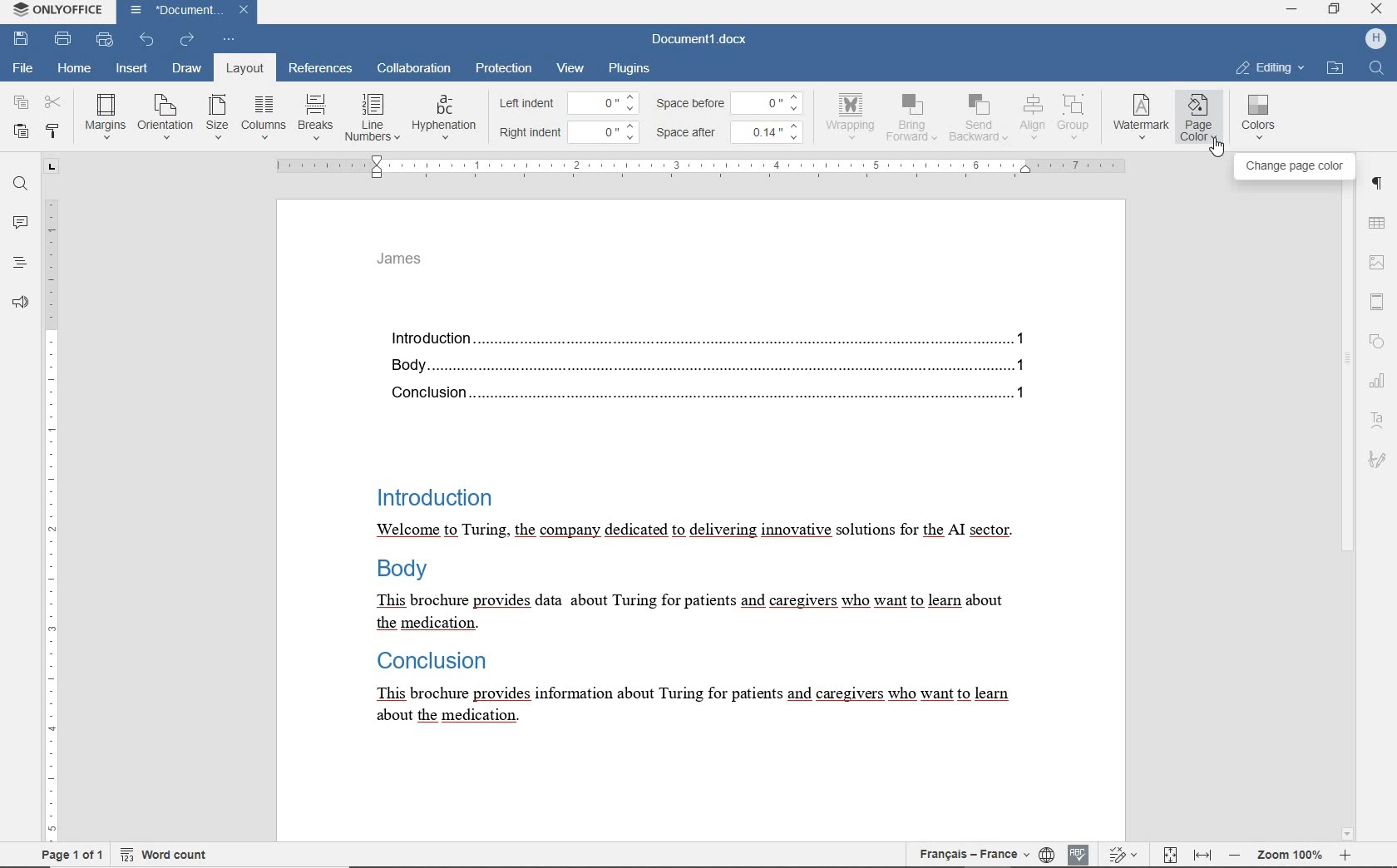 The image size is (1397, 868). I want to click on word count, so click(166, 854).